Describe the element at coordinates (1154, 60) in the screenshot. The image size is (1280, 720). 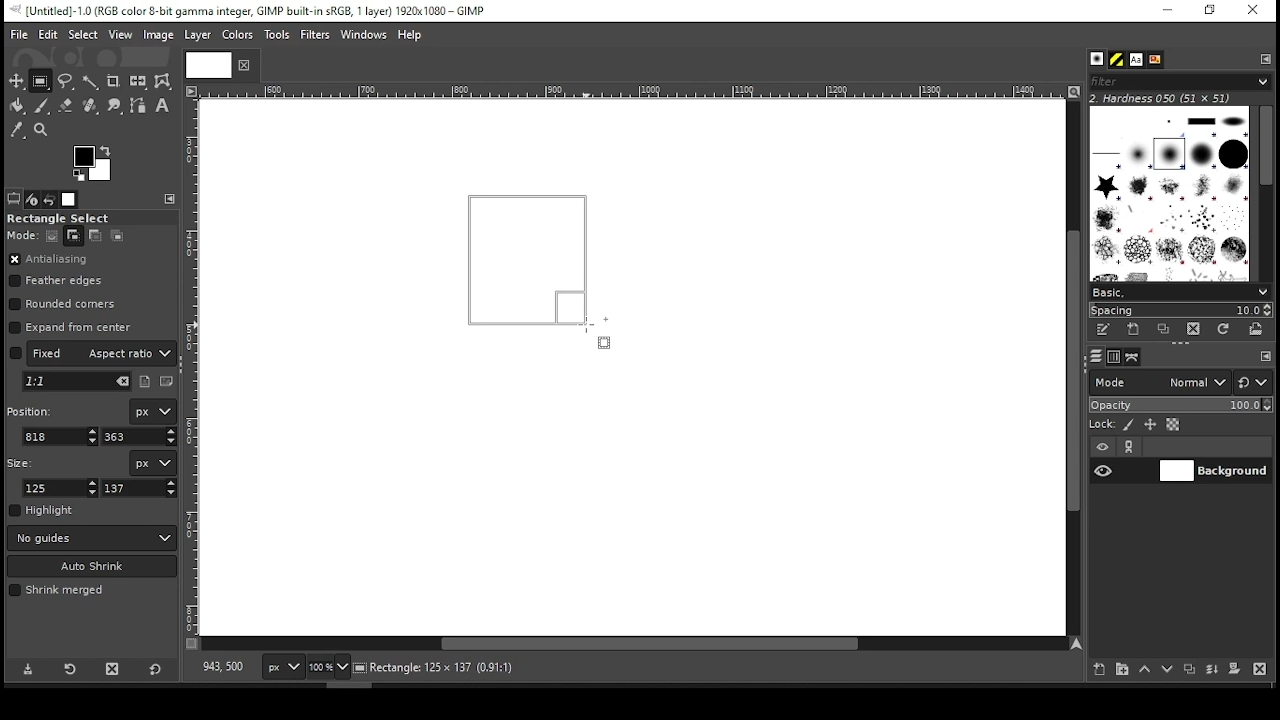
I see `document history` at that location.